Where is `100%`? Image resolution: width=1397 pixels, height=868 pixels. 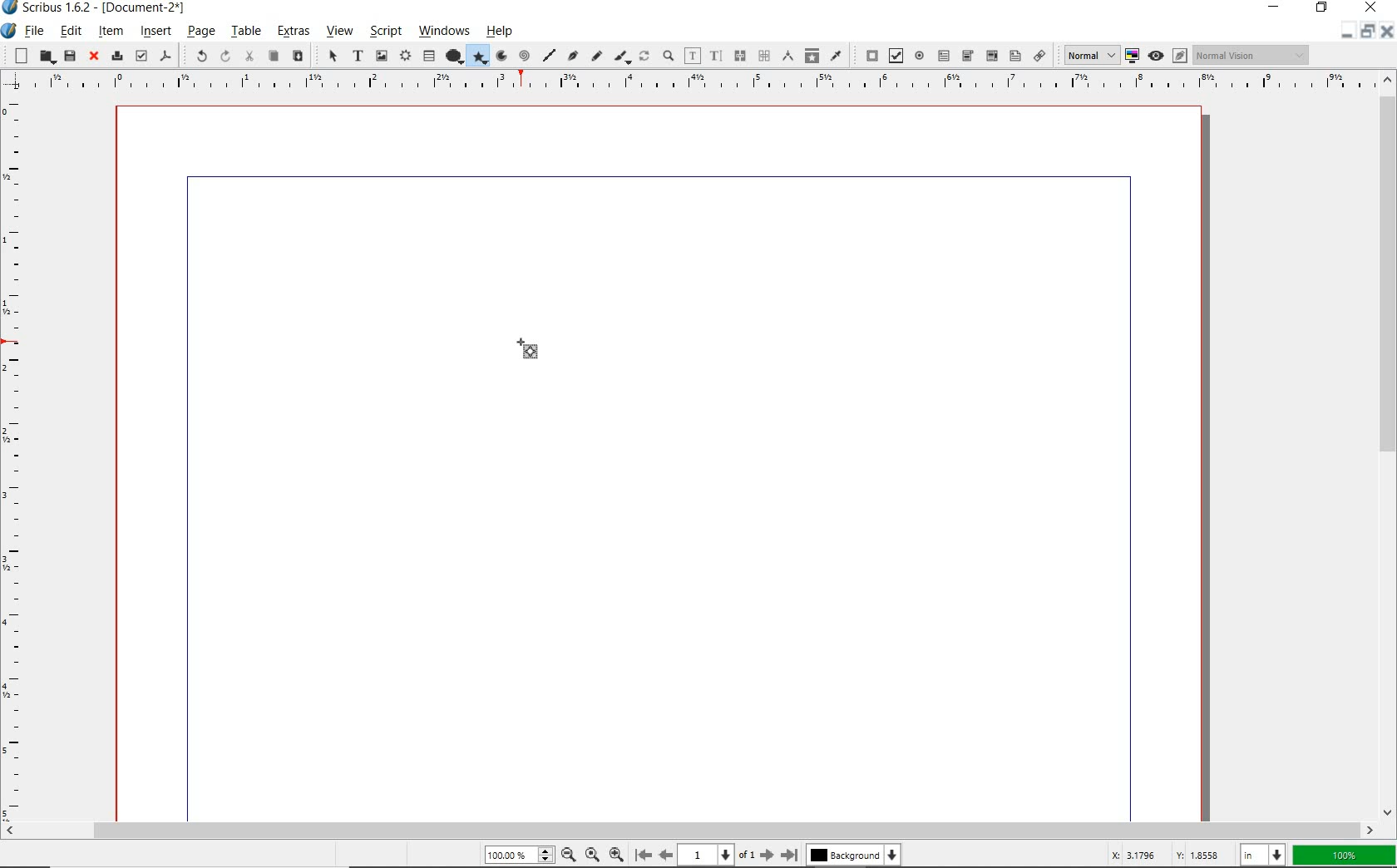 100% is located at coordinates (521, 854).